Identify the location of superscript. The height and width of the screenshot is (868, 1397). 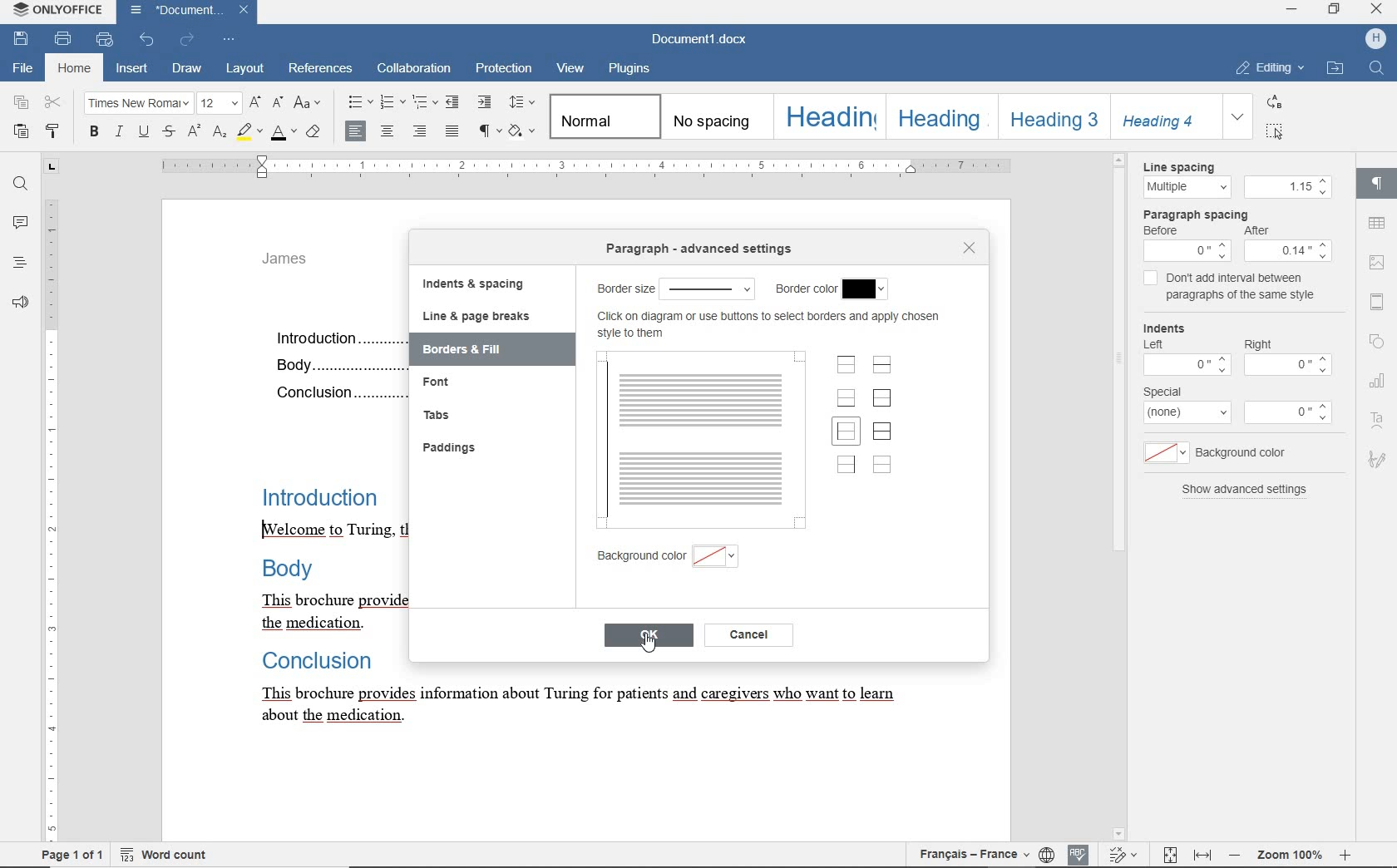
(195, 133).